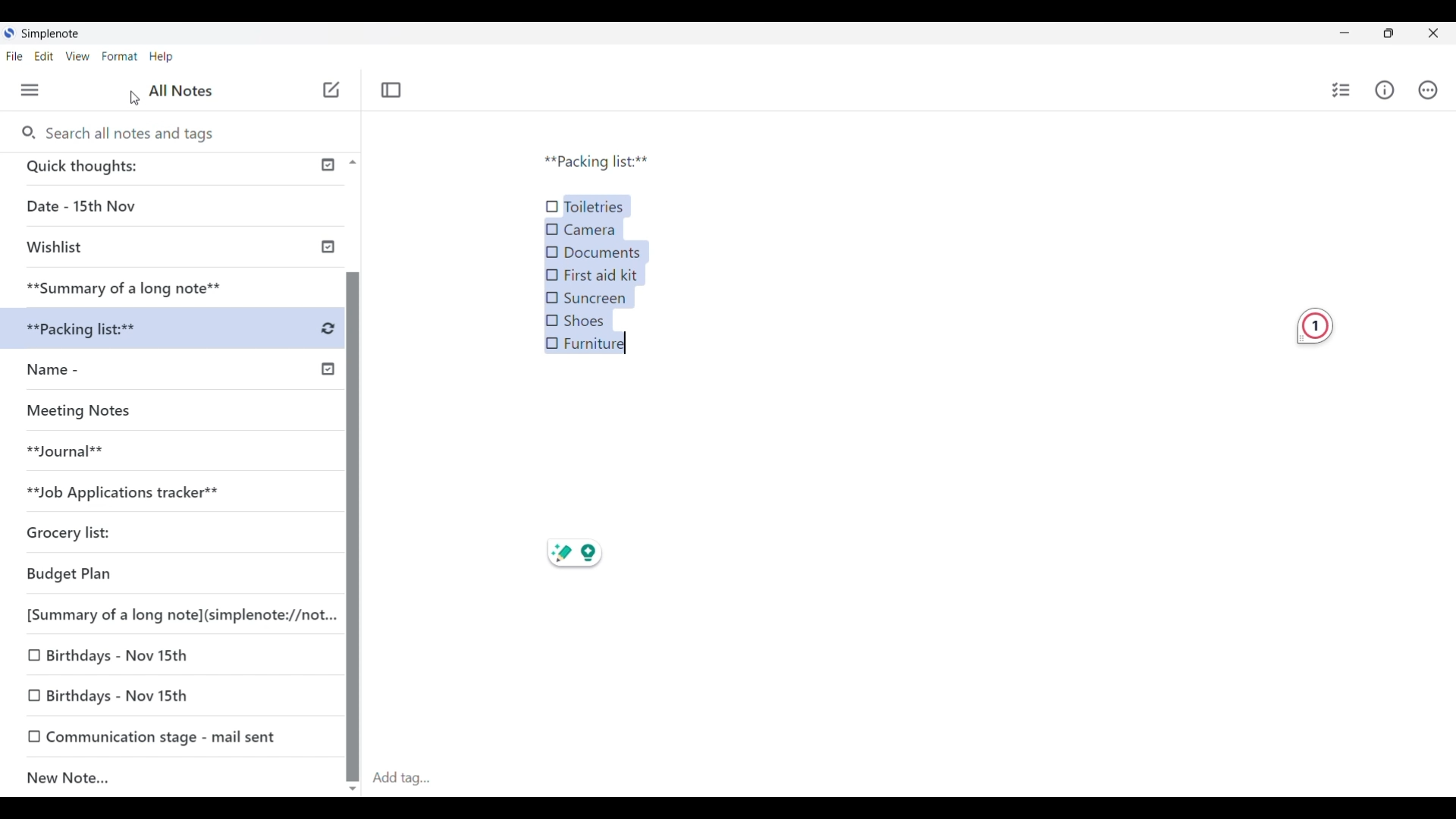  Describe the element at coordinates (129, 249) in the screenshot. I see `Wishlist` at that location.